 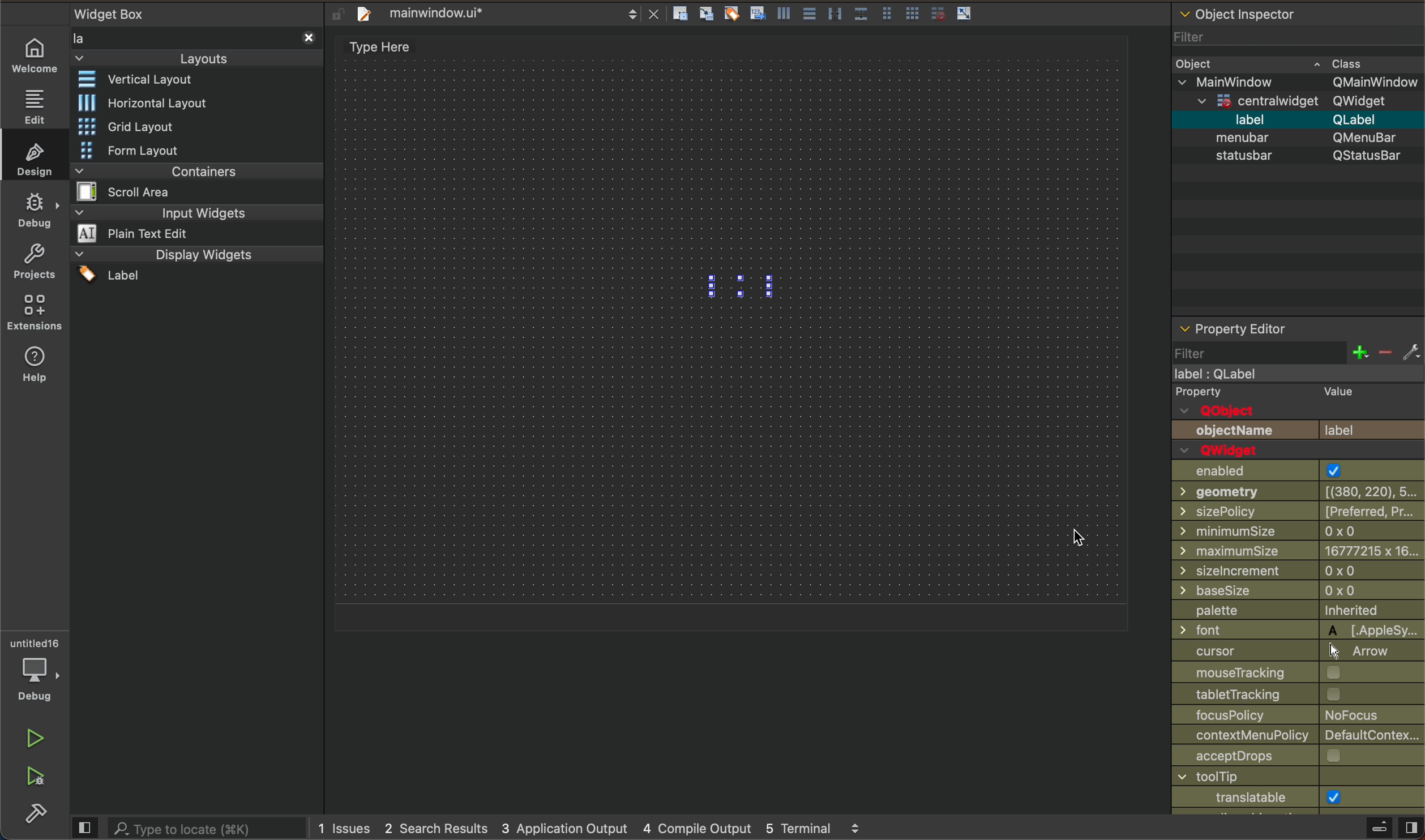 What do you see at coordinates (1244, 412) in the screenshot?
I see `q object` at bounding box center [1244, 412].